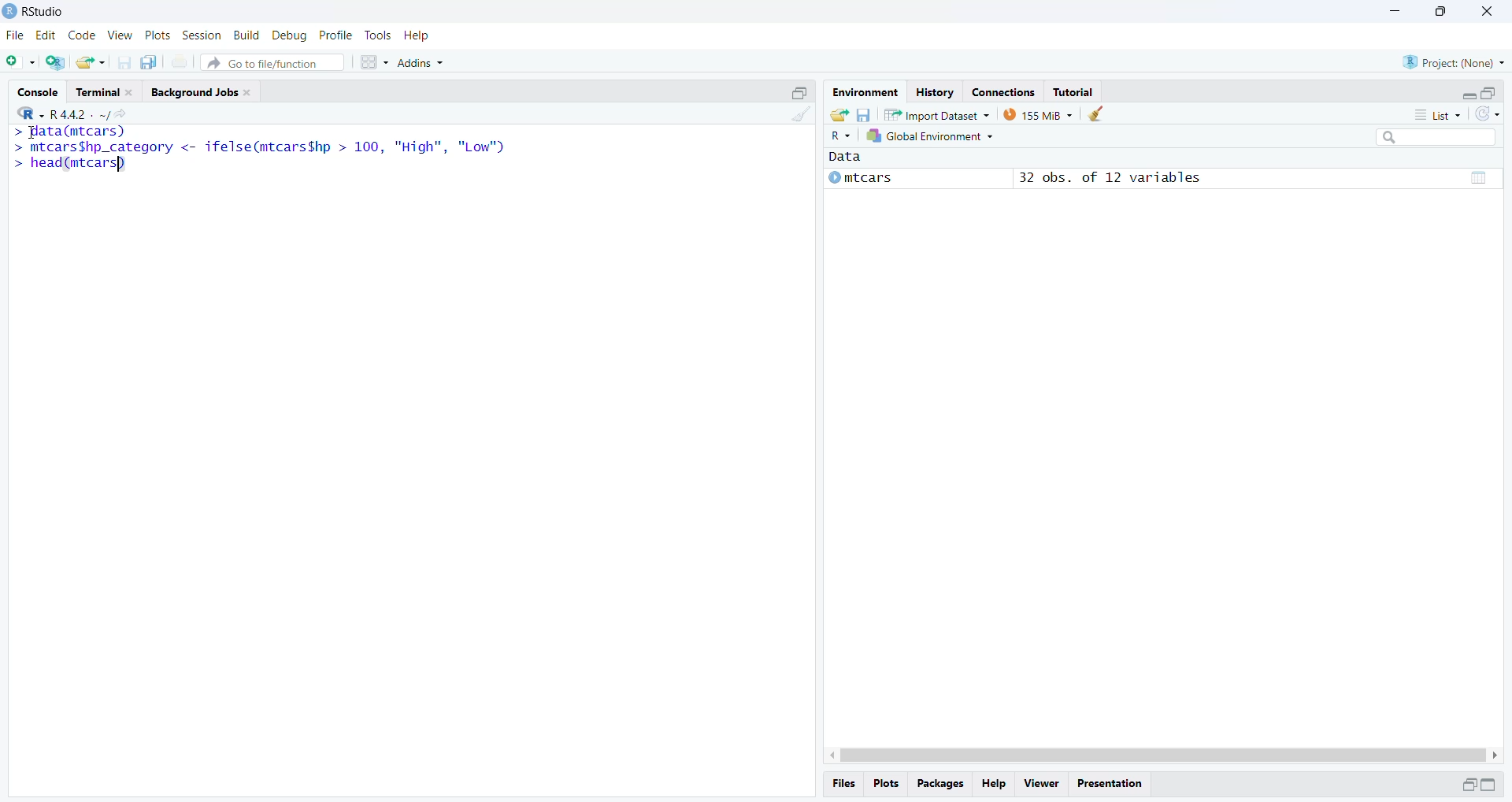  Describe the element at coordinates (1395, 12) in the screenshot. I see `Minimize` at that location.